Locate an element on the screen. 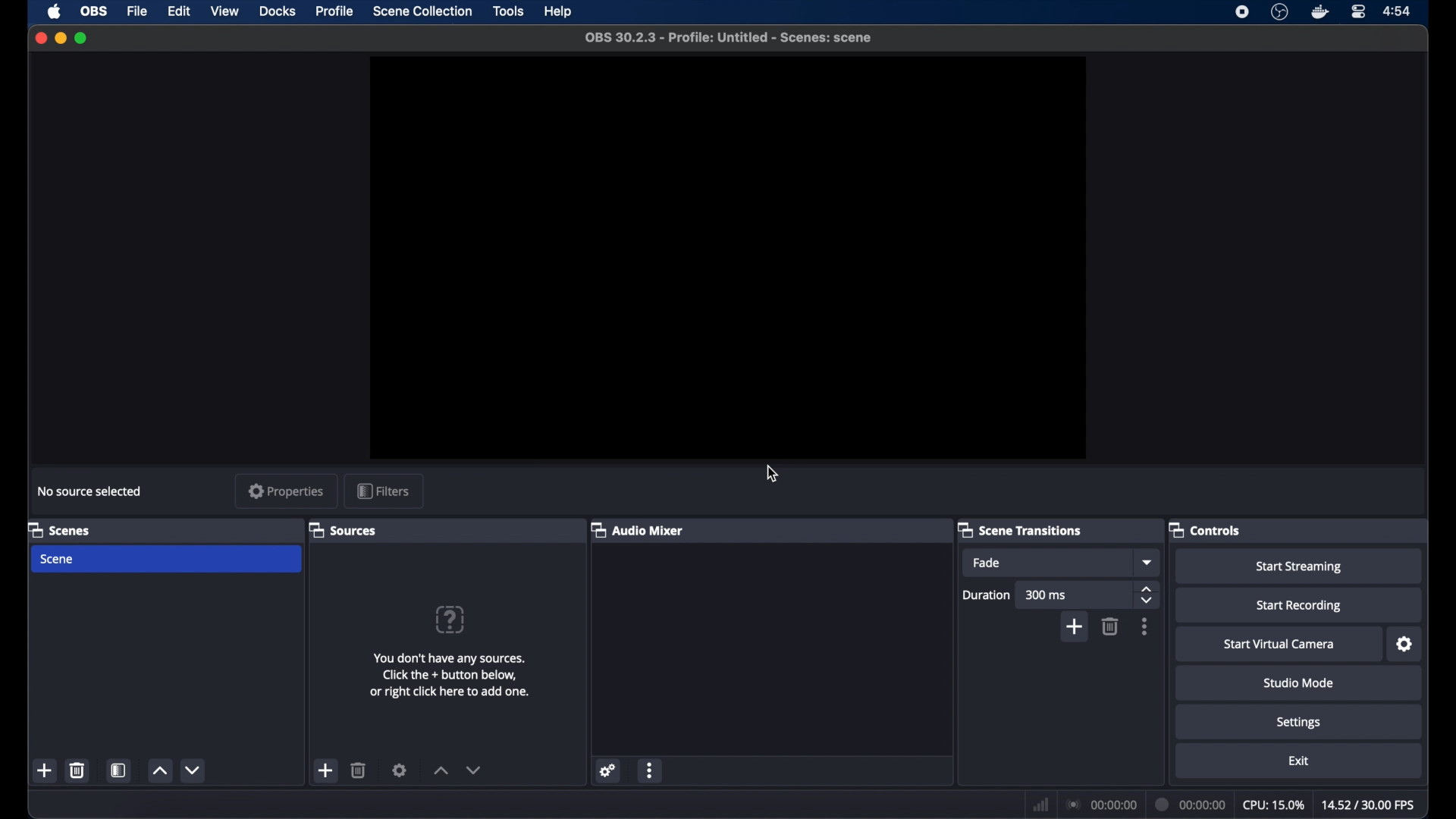  scene is located at coordinates (61, 560).